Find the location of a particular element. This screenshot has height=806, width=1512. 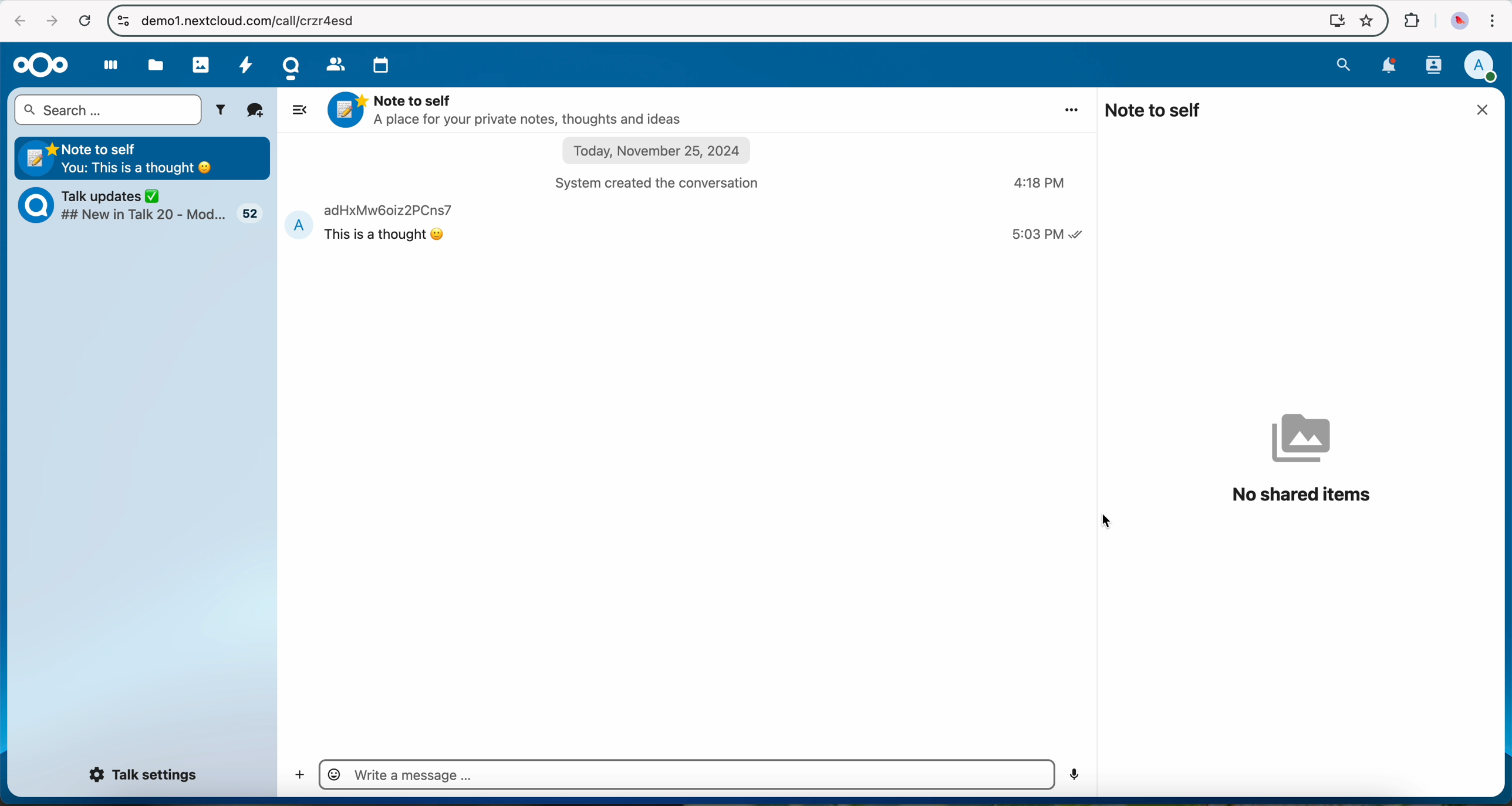

Nextcloud logo is located at coordinates (39, 65).